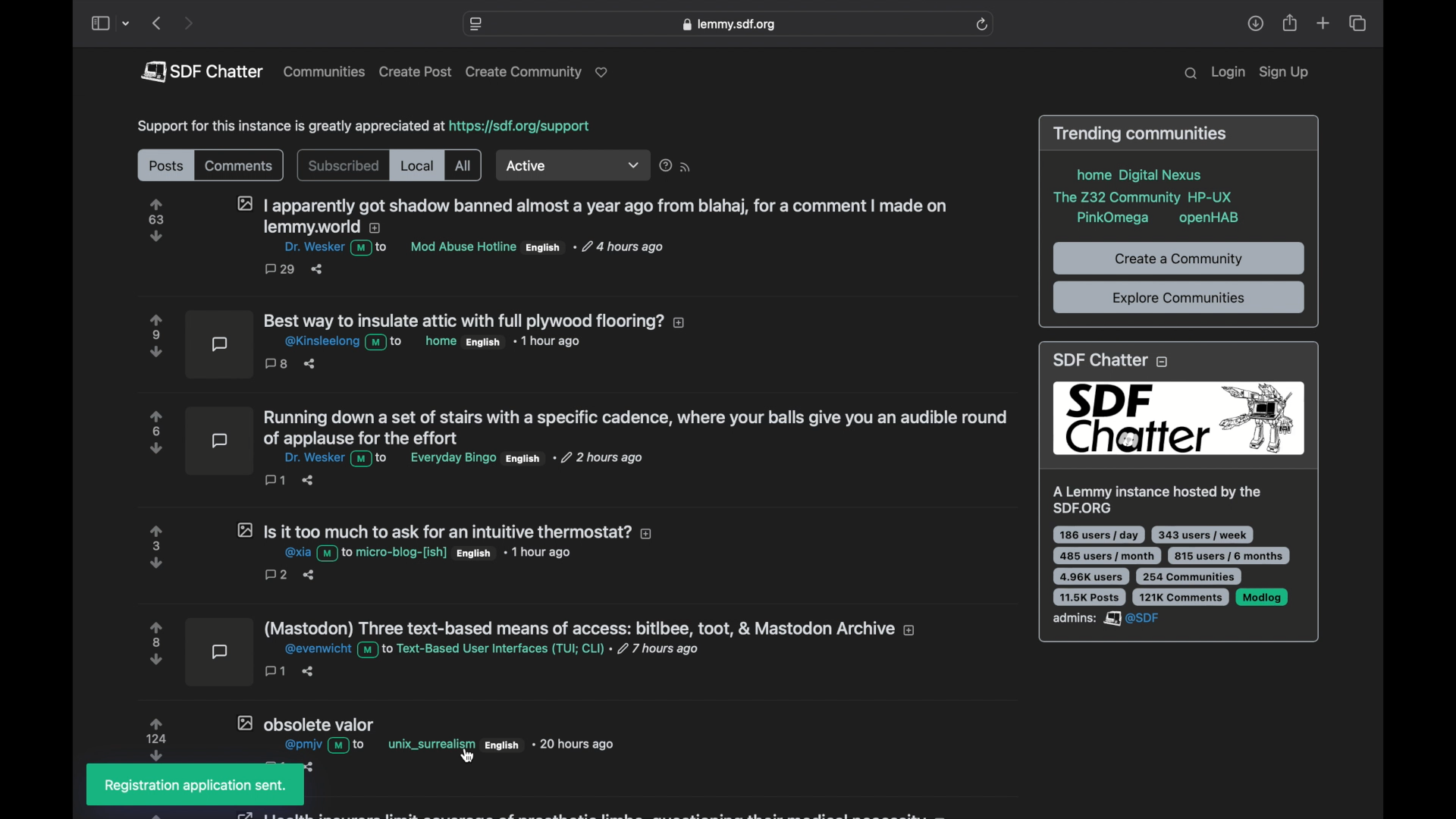 The height and width of the screenshot is (819, 1456). Describe the element at coordinates (400, 551) in the screenshot. I see `post` at that location.